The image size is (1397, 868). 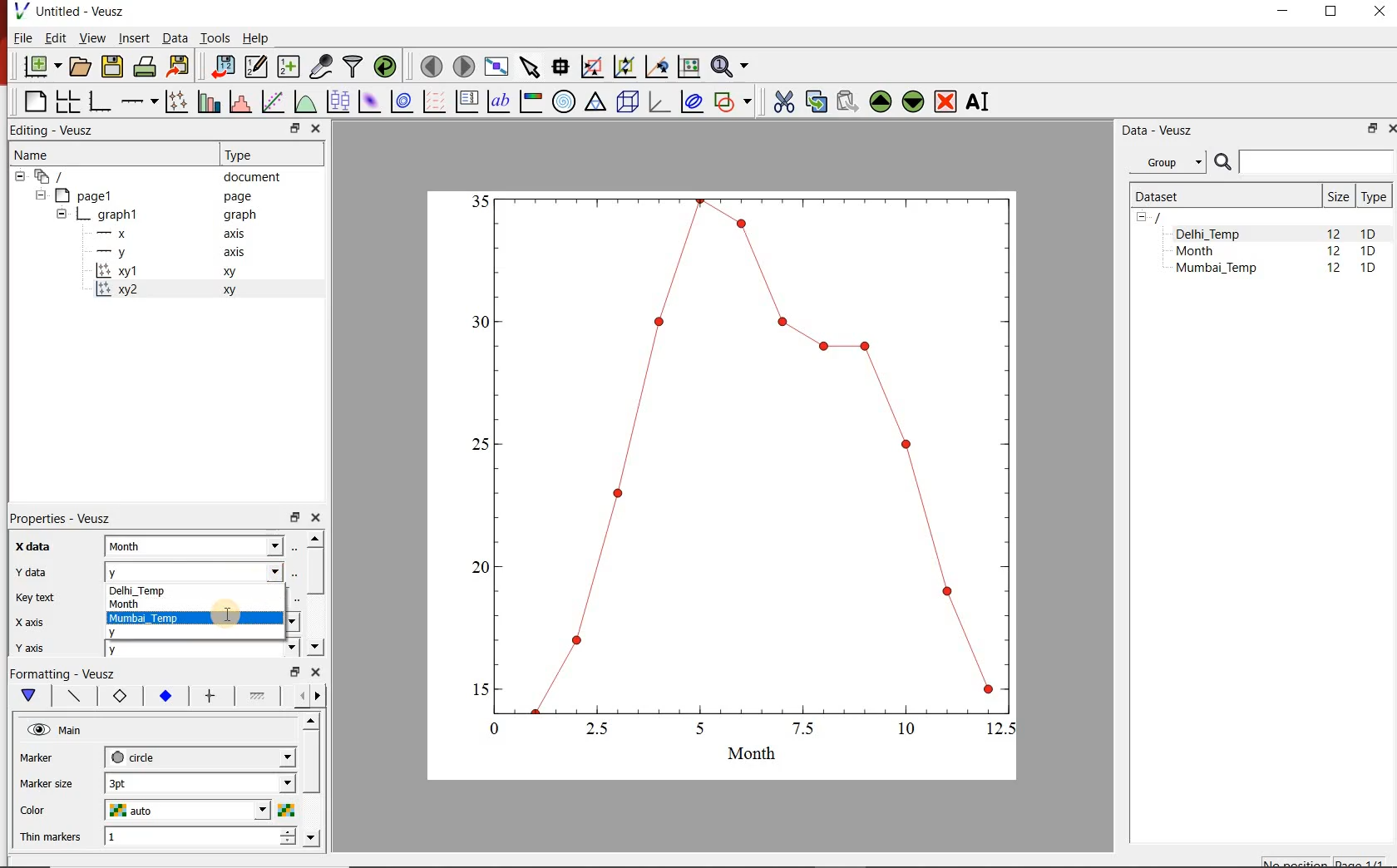 I want to click on 3d graph, so click(x=657, y=101).